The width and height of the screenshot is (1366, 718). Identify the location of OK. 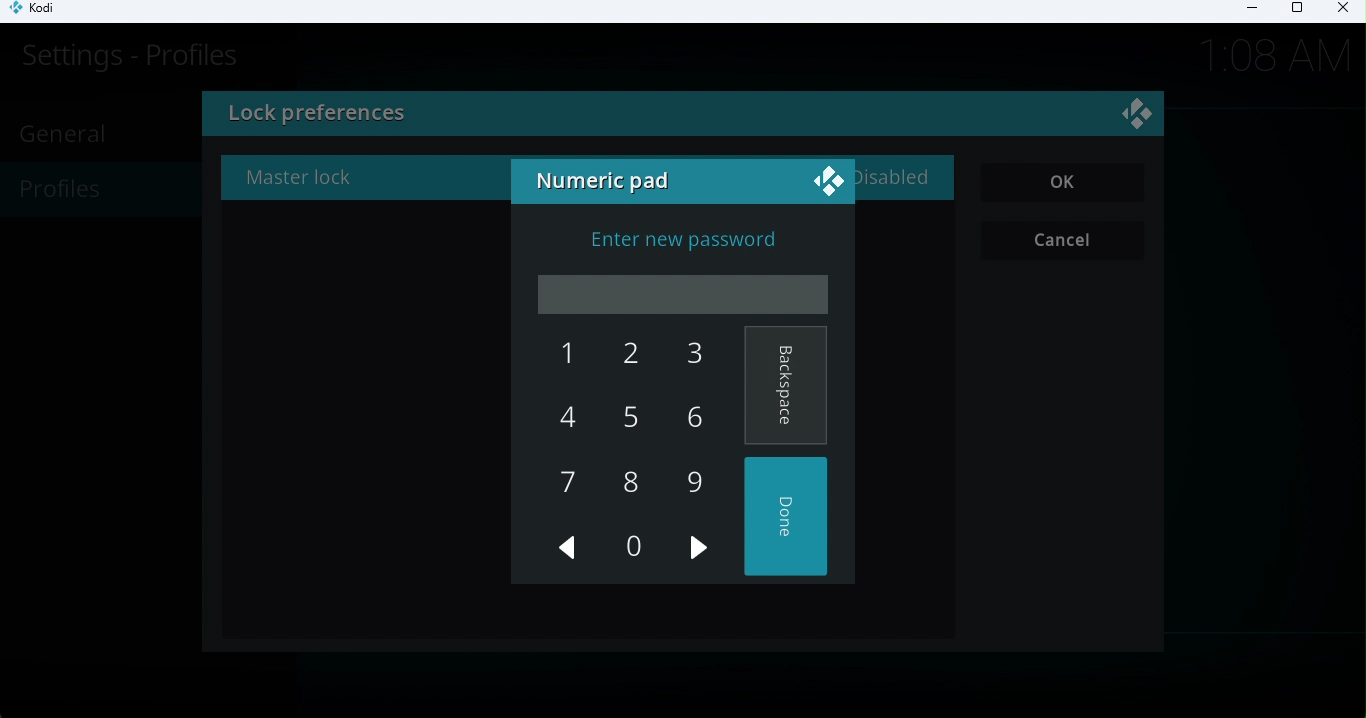
(1064, 183).